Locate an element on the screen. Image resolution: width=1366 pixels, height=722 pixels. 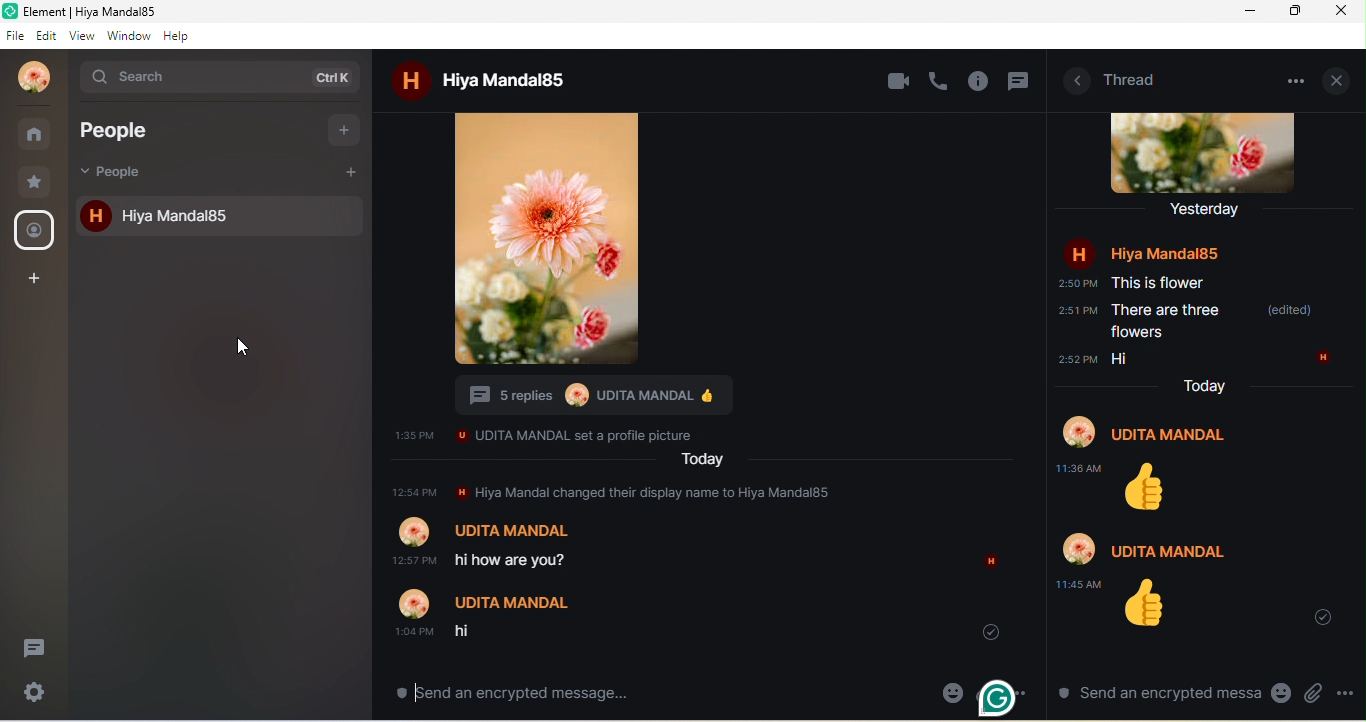
room information is located at coordinates (1076, 81).